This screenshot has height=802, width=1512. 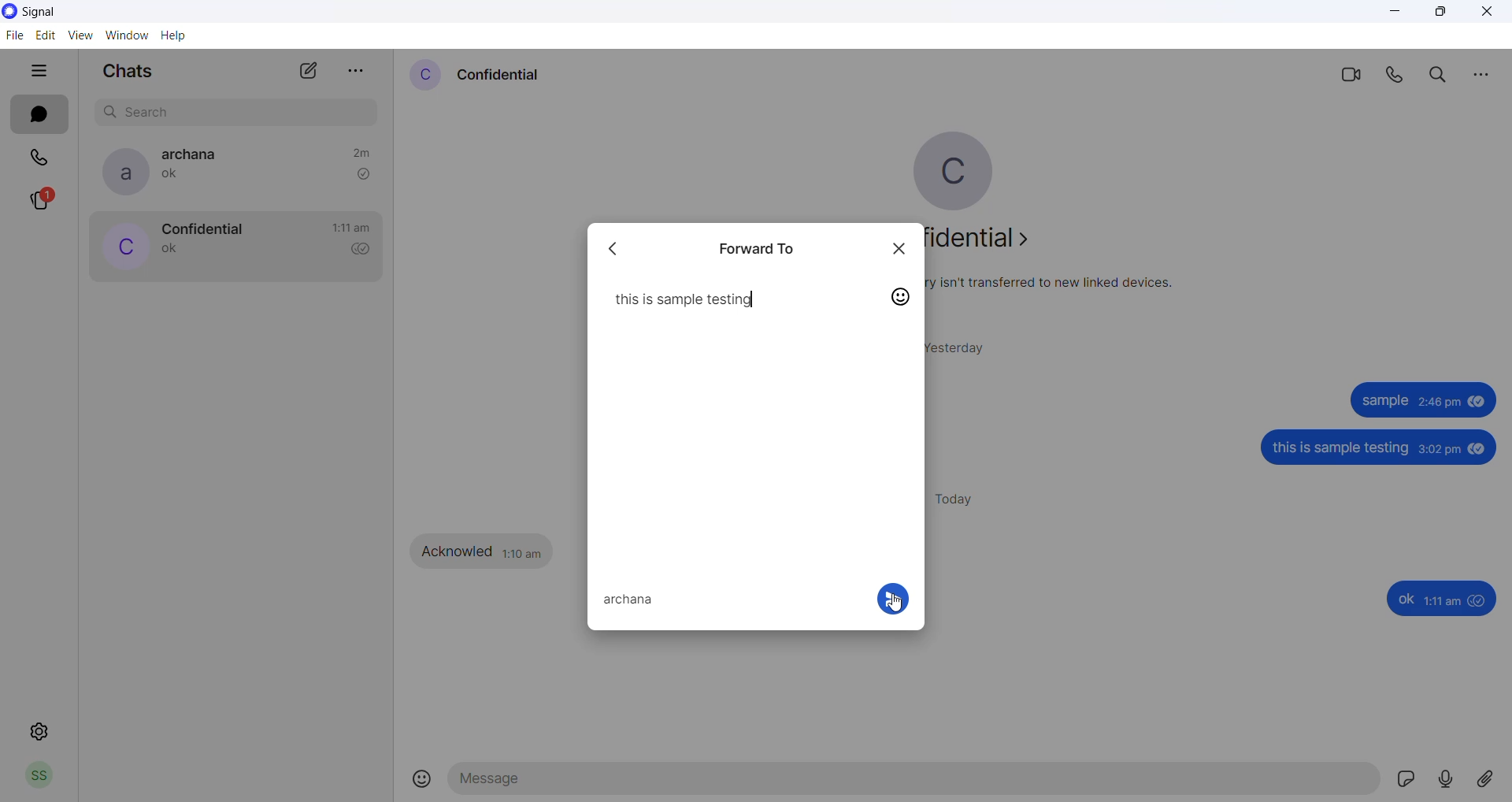 I want to click on read recipient, so click(x=363, y=174).